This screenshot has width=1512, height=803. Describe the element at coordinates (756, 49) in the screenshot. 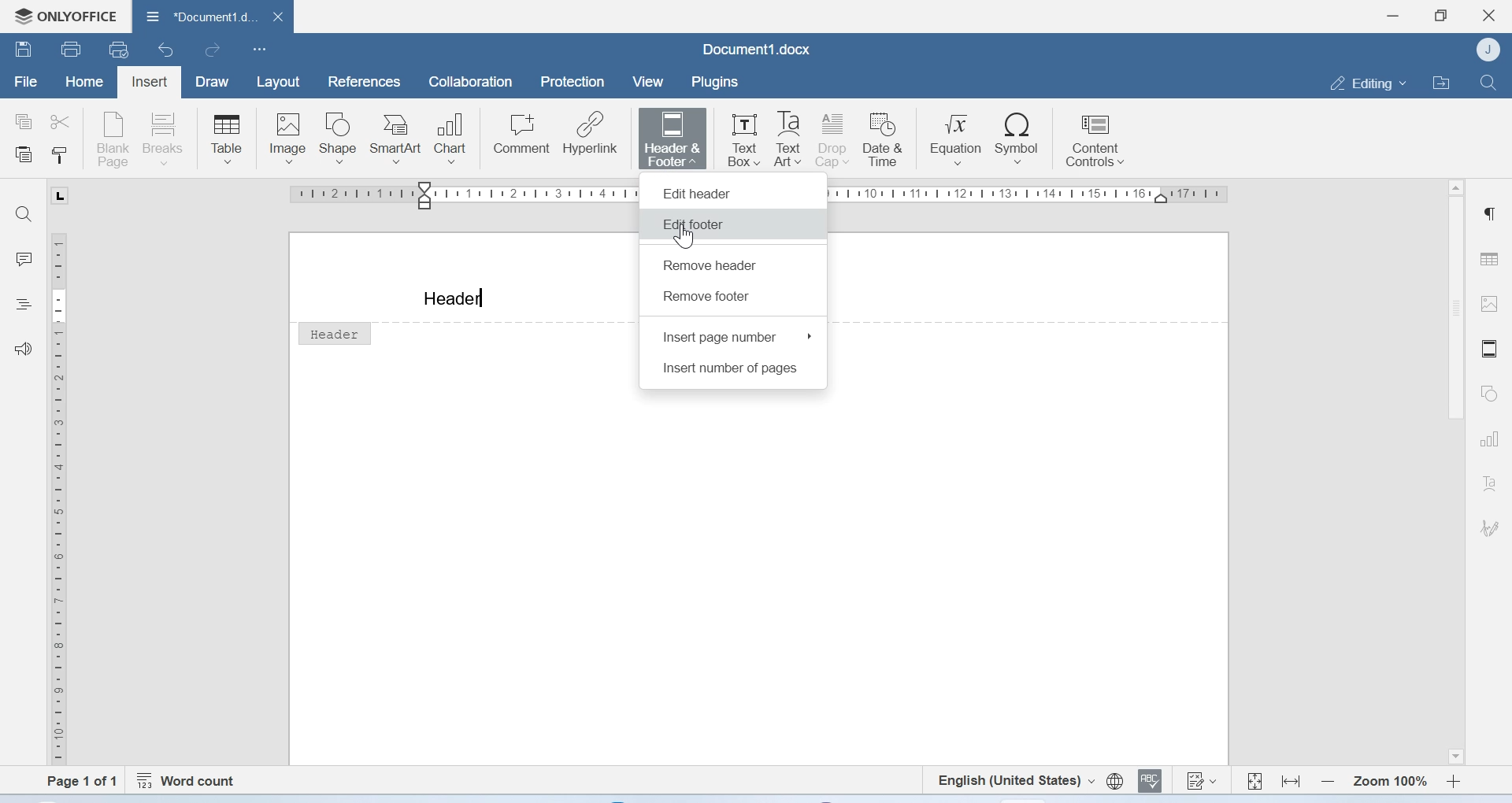

I see `Document1.docx` at that location.